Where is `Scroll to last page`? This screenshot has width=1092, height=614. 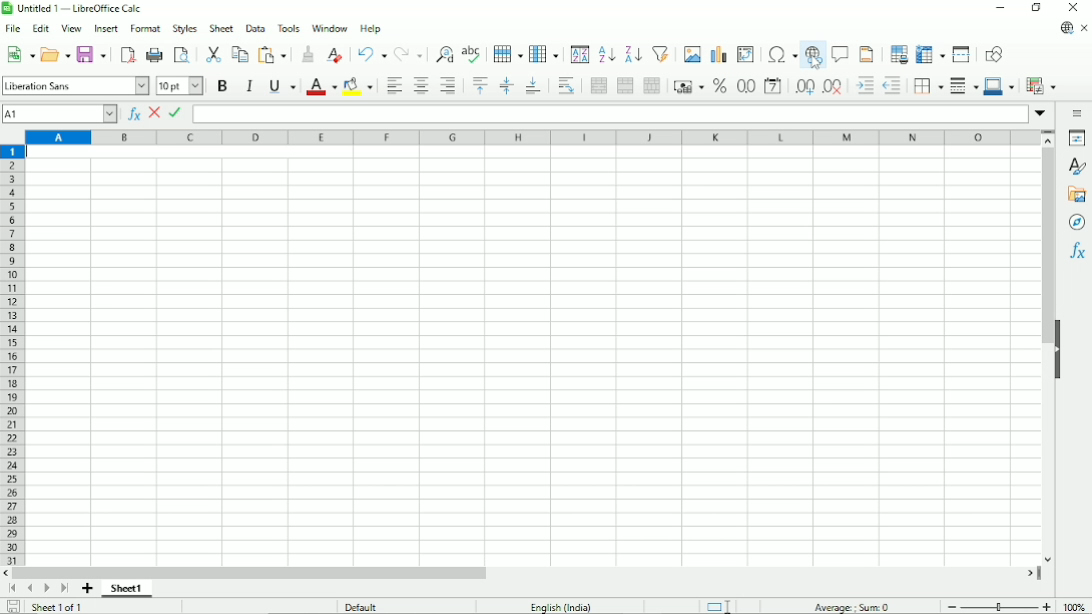
Scroll to last page is located at coordinates (64, 588).